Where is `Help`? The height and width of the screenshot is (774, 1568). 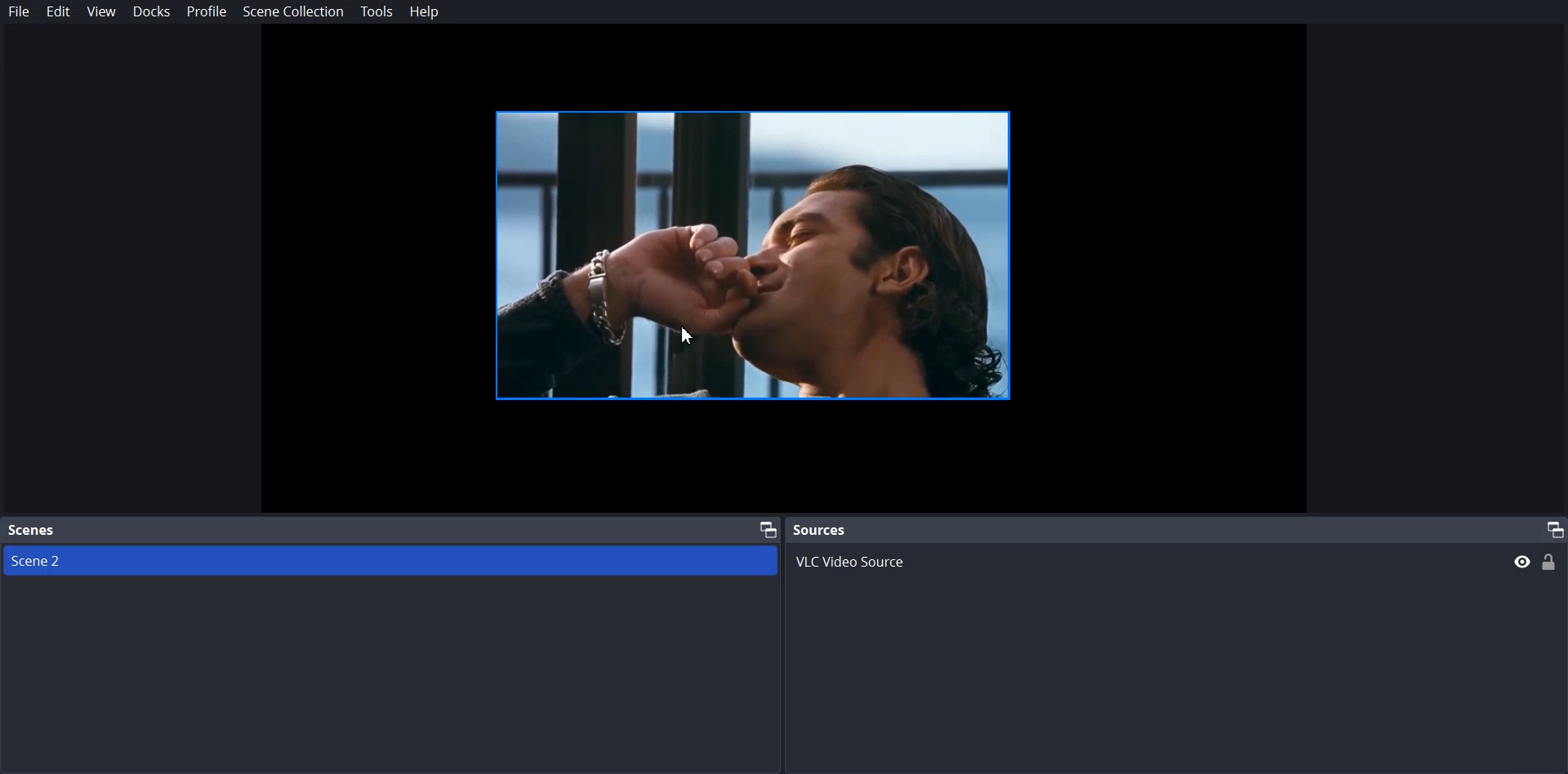
Help is located at coordinates (424, 13).